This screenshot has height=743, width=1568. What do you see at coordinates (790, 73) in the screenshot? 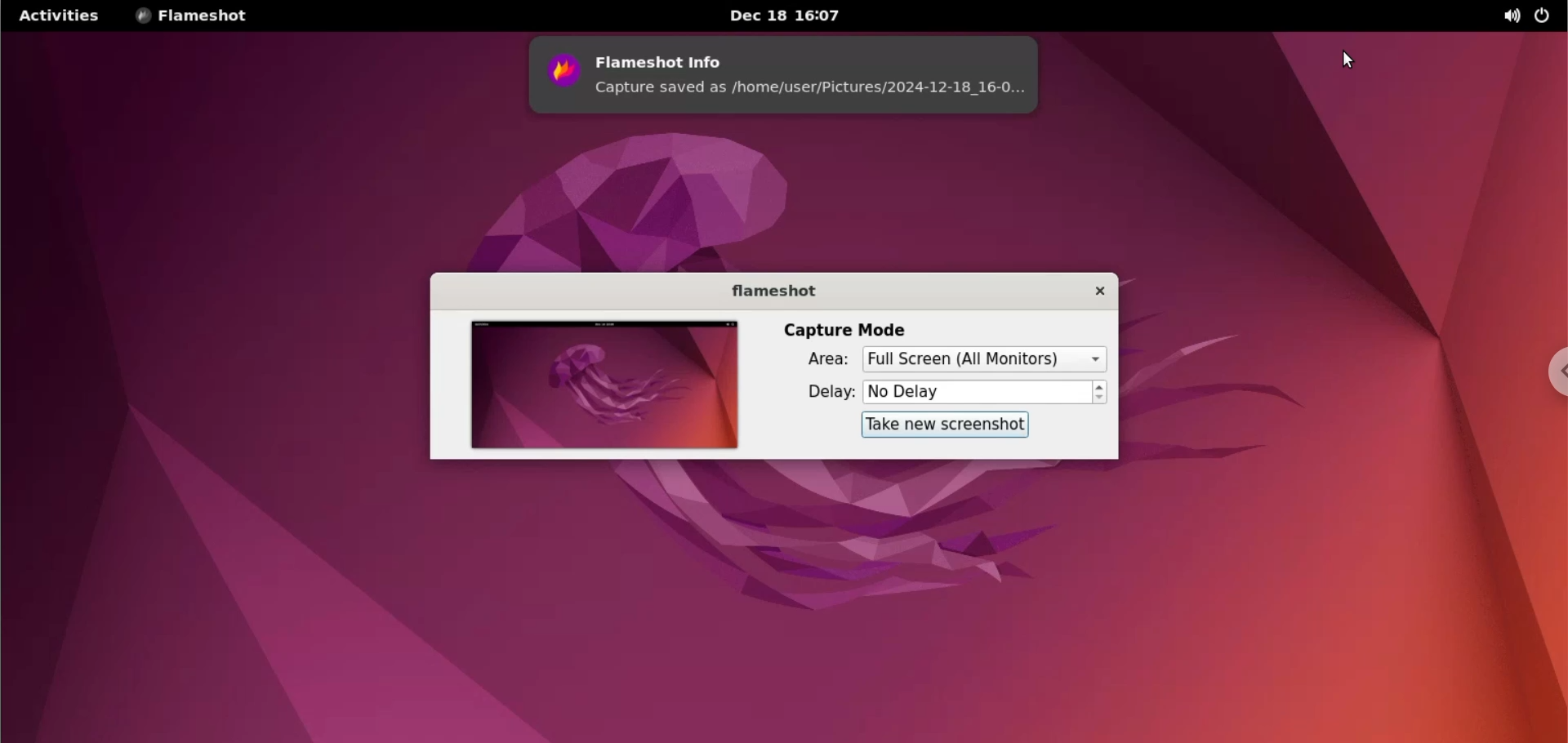
I see `screenshot info notification` at bounding box center [790, 73].